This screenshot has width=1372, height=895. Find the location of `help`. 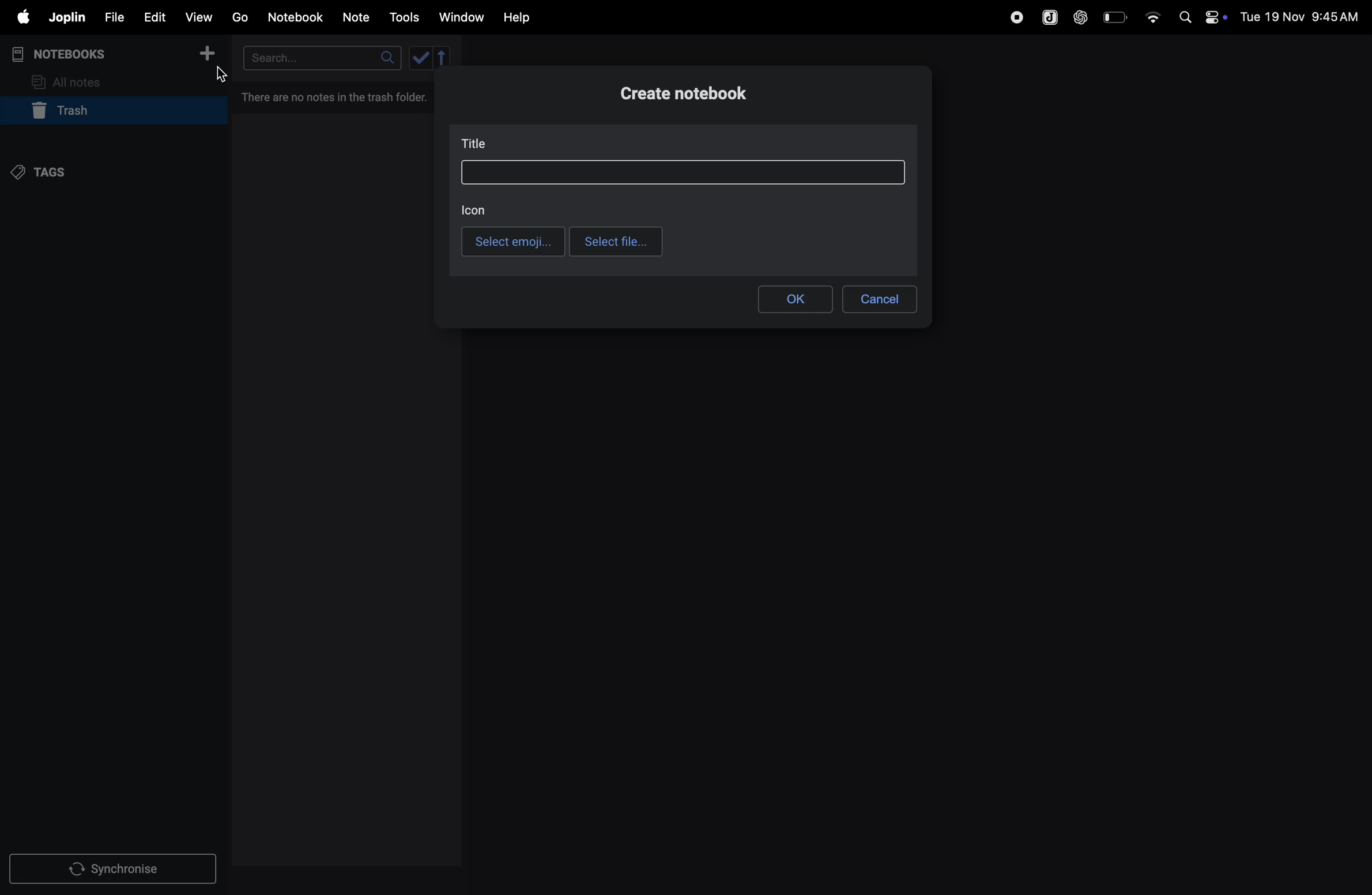

help is located at coordinates (517, 17).